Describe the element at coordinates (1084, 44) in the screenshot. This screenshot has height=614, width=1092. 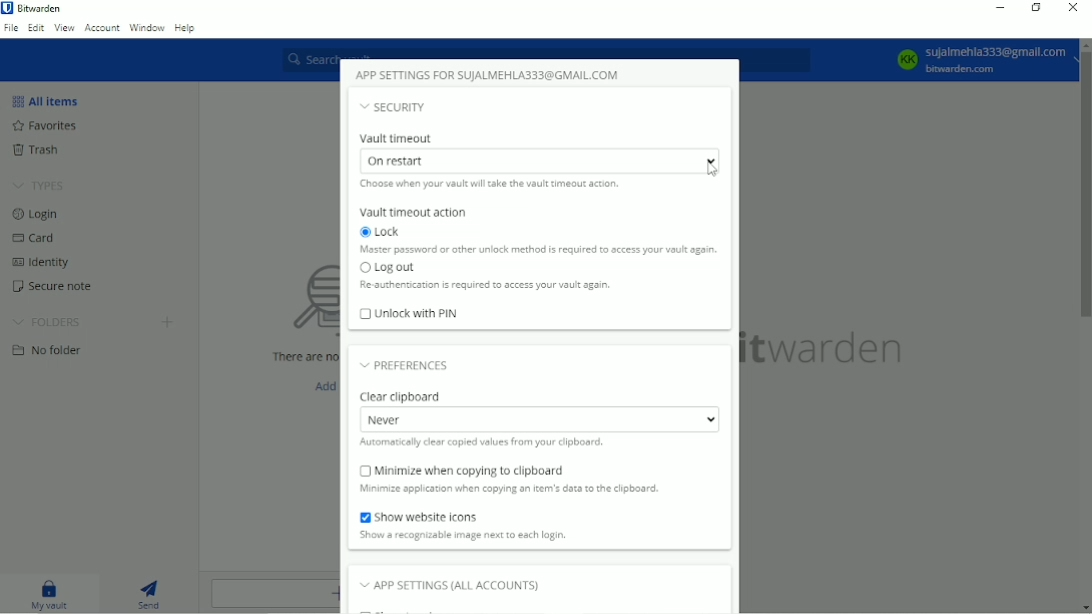
I see `scroll up` at that location.